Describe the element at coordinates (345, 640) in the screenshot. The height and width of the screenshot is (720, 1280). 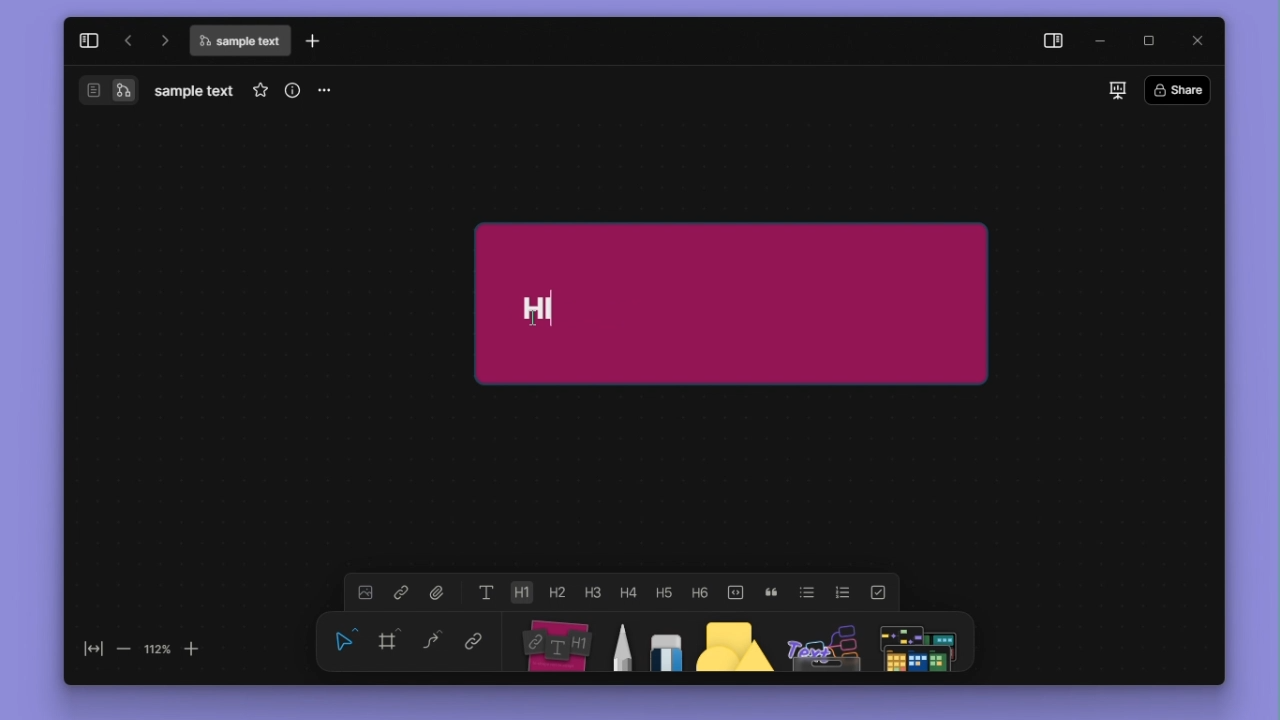
I see `select` at that location.